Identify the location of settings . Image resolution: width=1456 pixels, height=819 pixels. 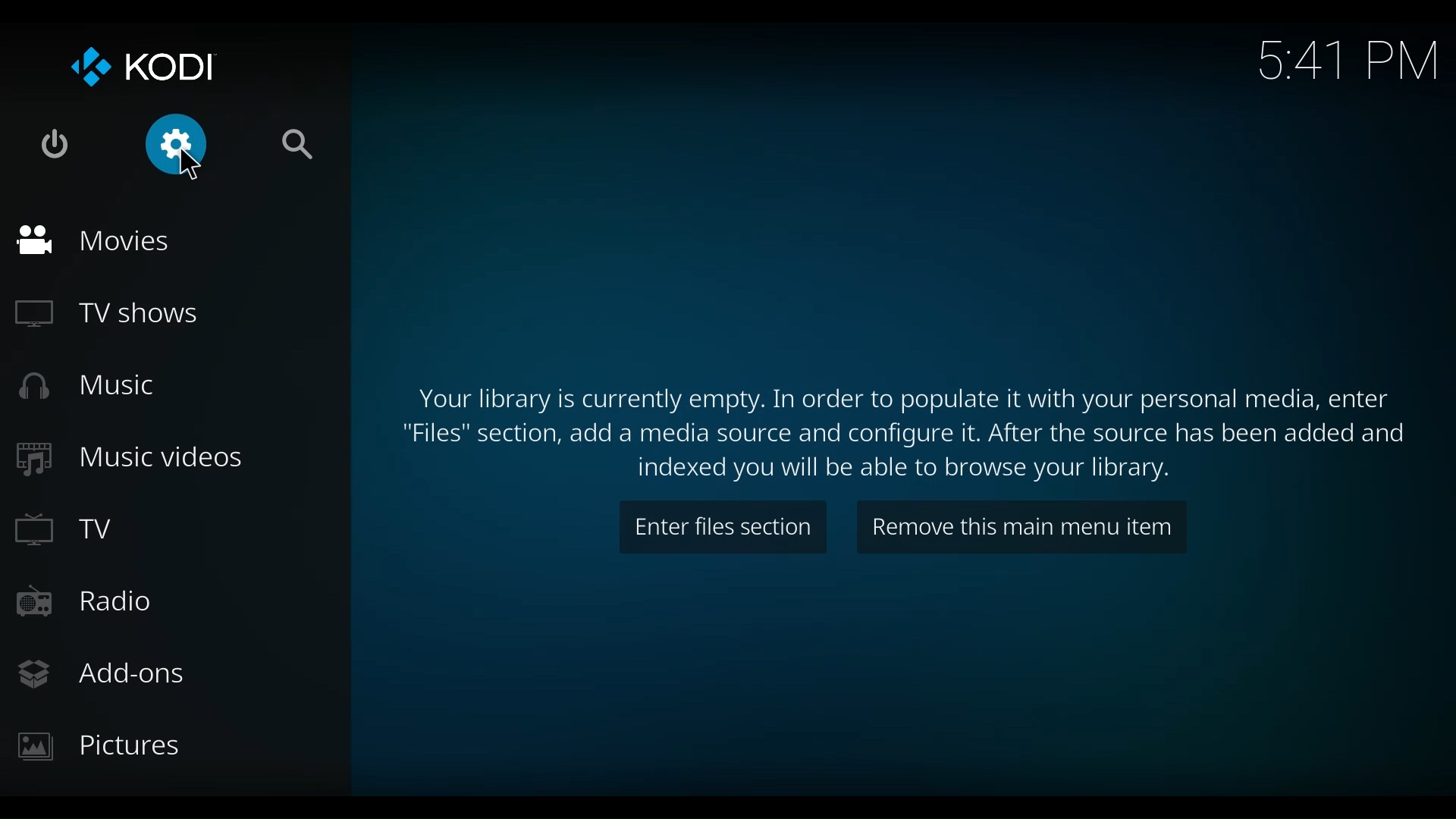
(181, 144).